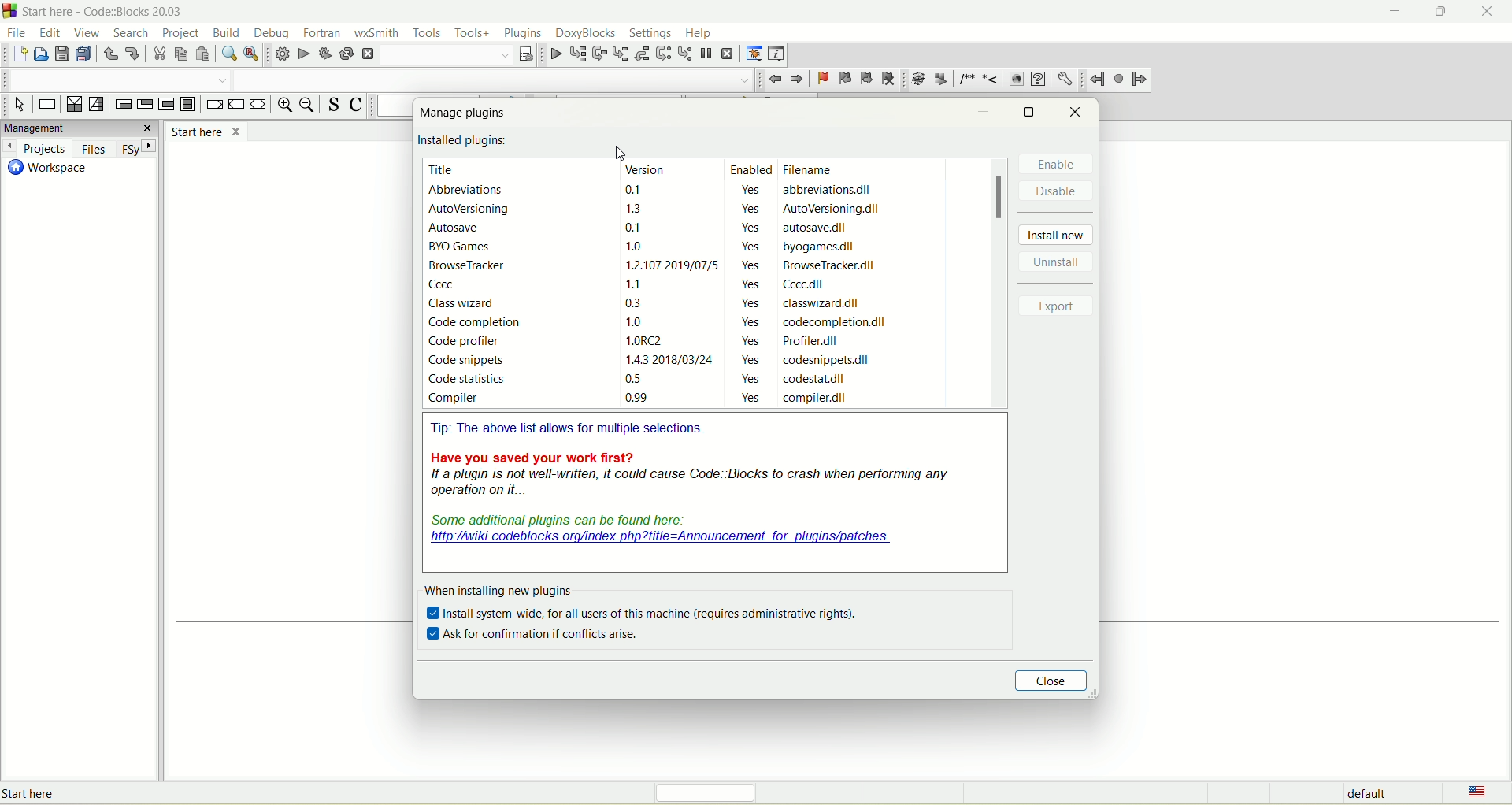 This screenshot has height=805, width=1512. I want to click on Code profiler 1.0RC2 Yes  Profiler.dll, so click(636, 341).